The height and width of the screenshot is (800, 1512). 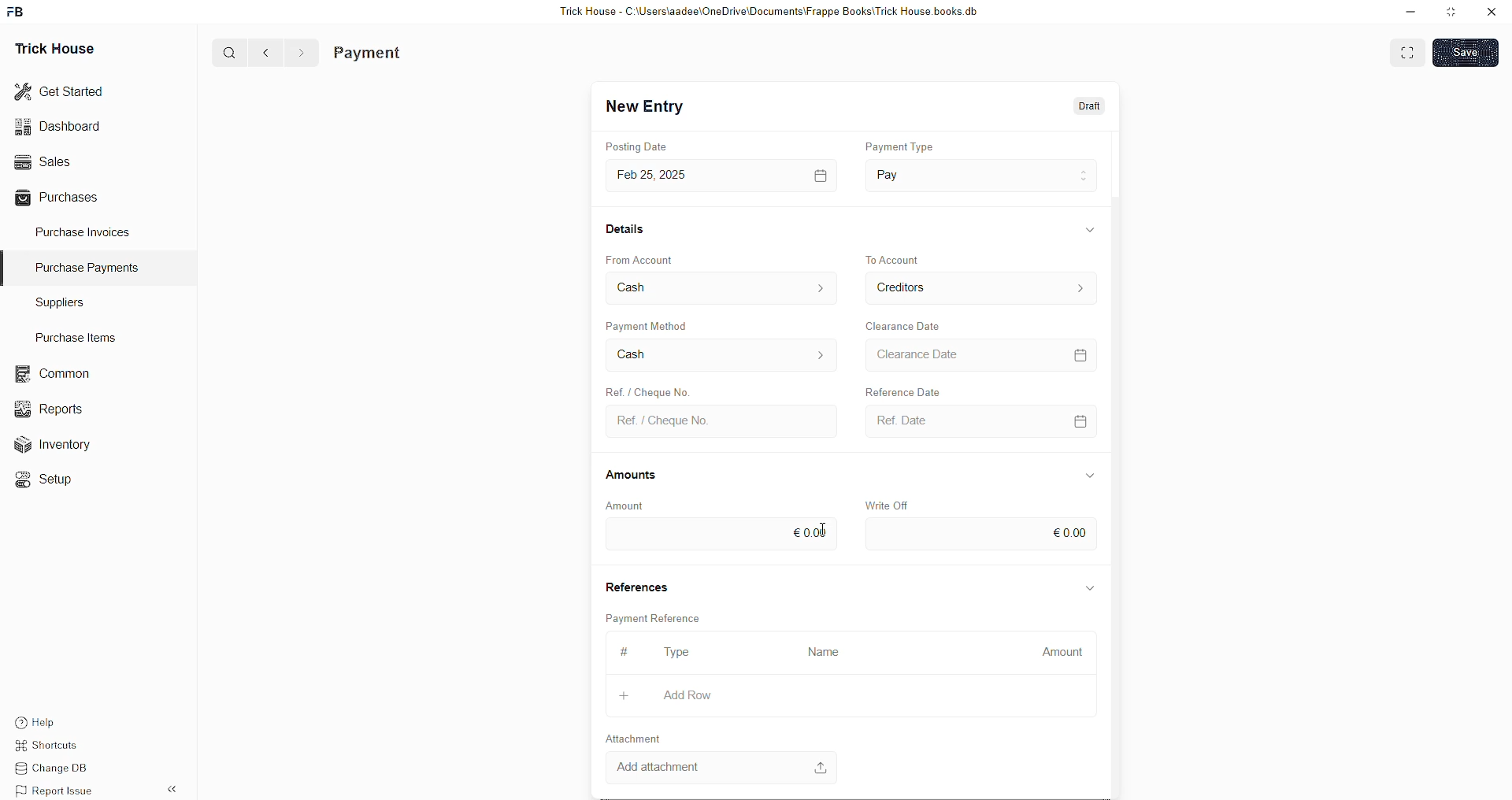 I want to click on Draft, so click(x=1091, y=107).